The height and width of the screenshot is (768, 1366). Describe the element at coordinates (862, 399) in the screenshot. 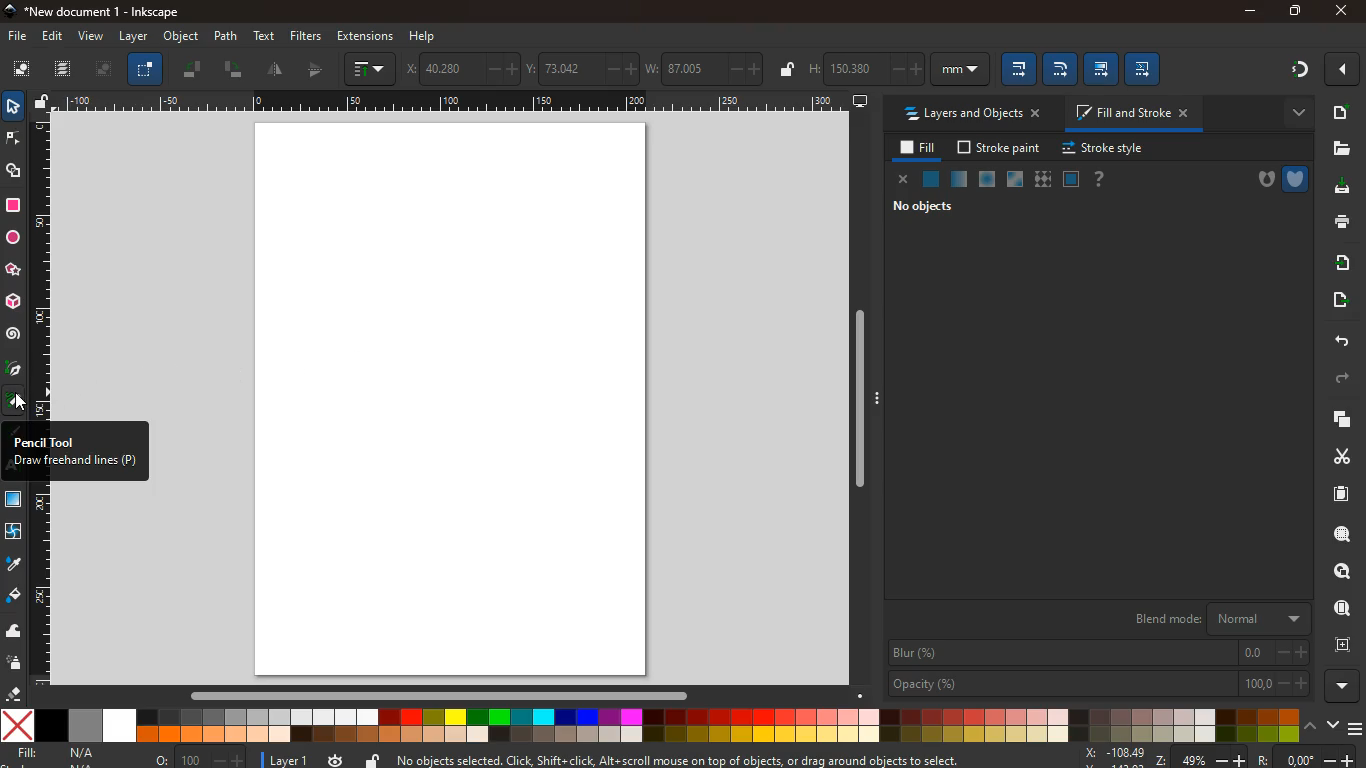

I see `Vertical slider` at that location.